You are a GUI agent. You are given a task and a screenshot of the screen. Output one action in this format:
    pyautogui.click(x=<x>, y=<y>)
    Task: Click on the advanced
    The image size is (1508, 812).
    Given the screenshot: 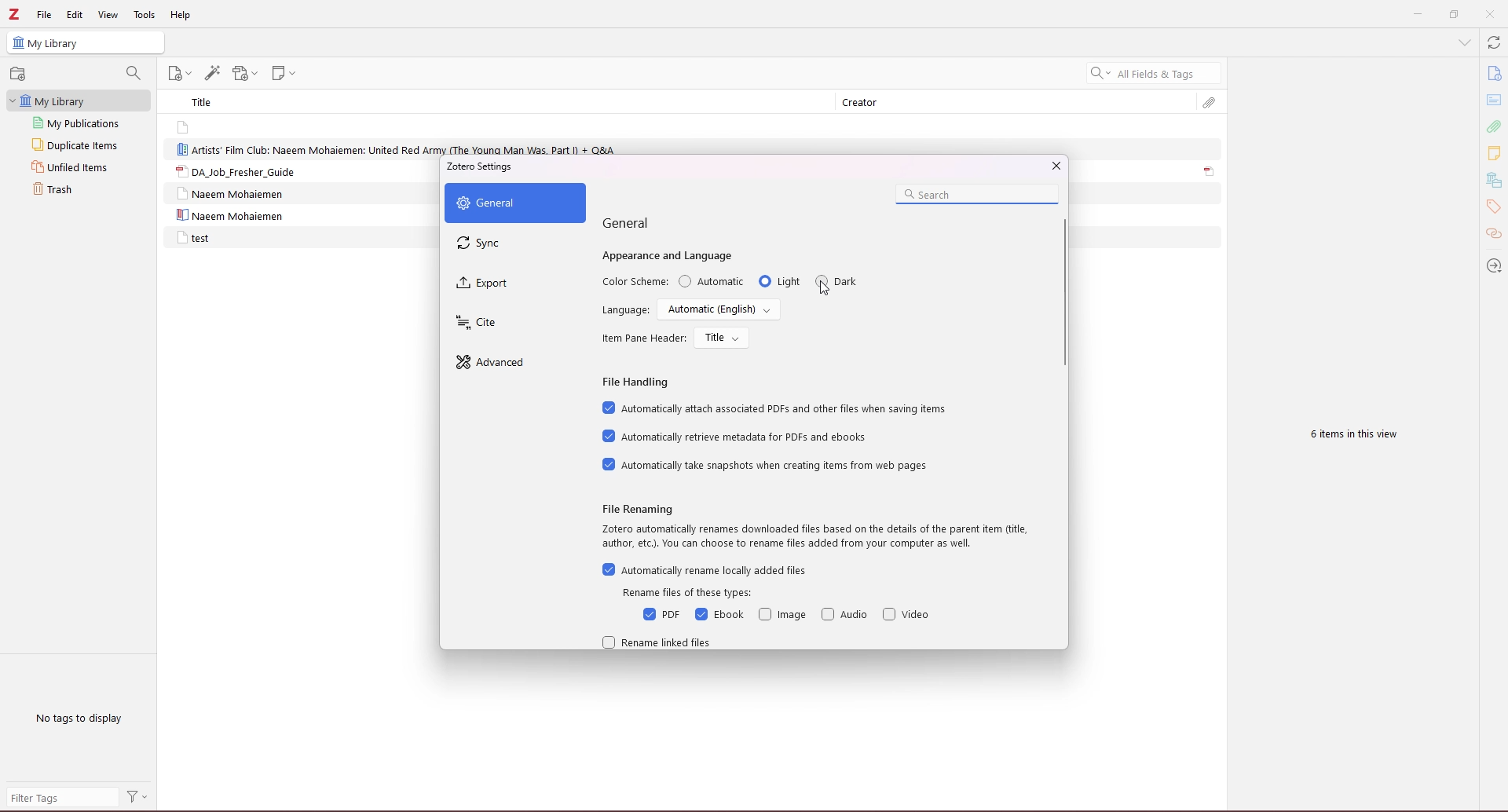 What is the action you would take?
    pyautogui.click(x=511, y=363)
    